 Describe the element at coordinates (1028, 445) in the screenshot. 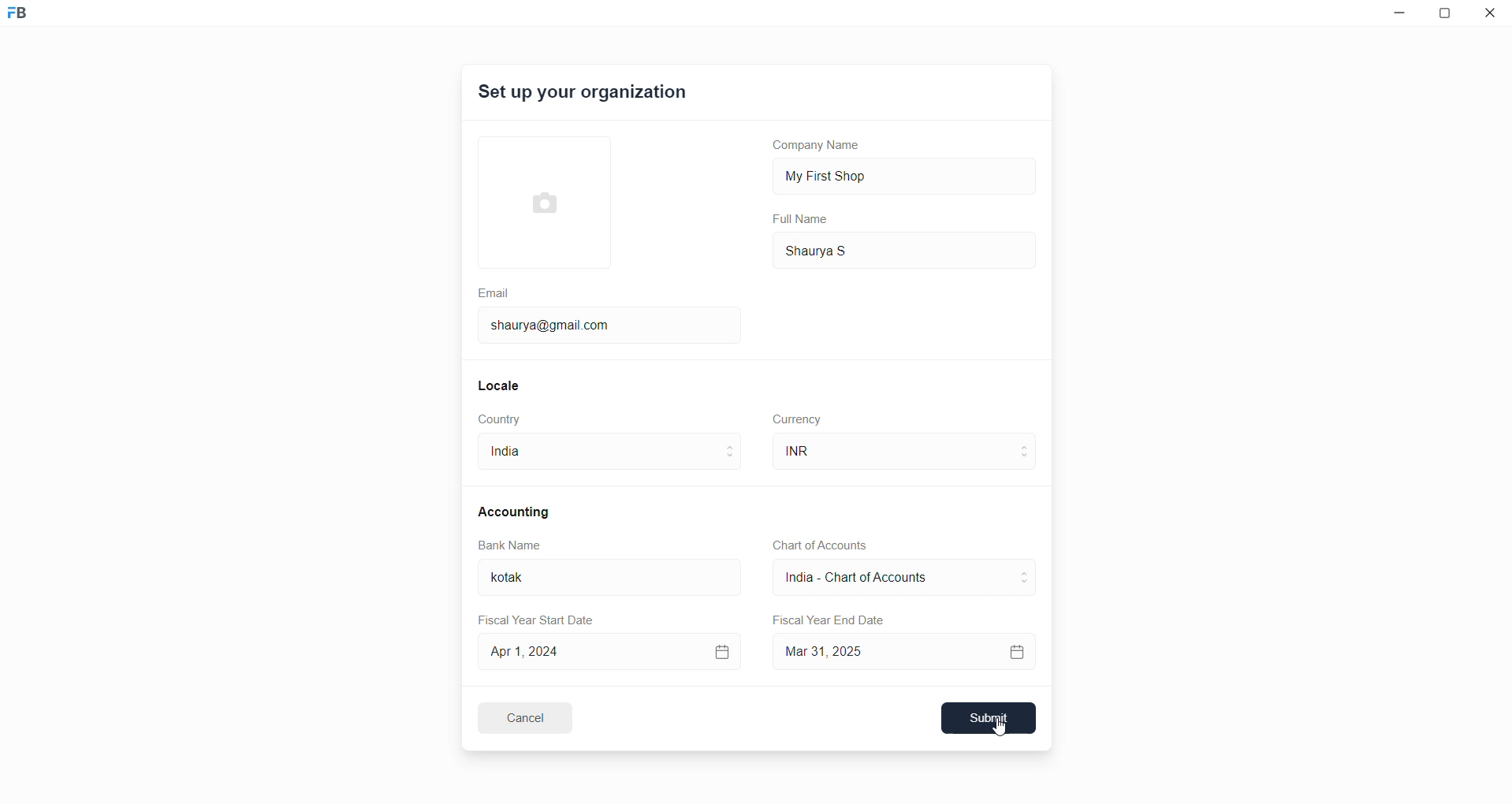

I see `move to above curreny` at that location.